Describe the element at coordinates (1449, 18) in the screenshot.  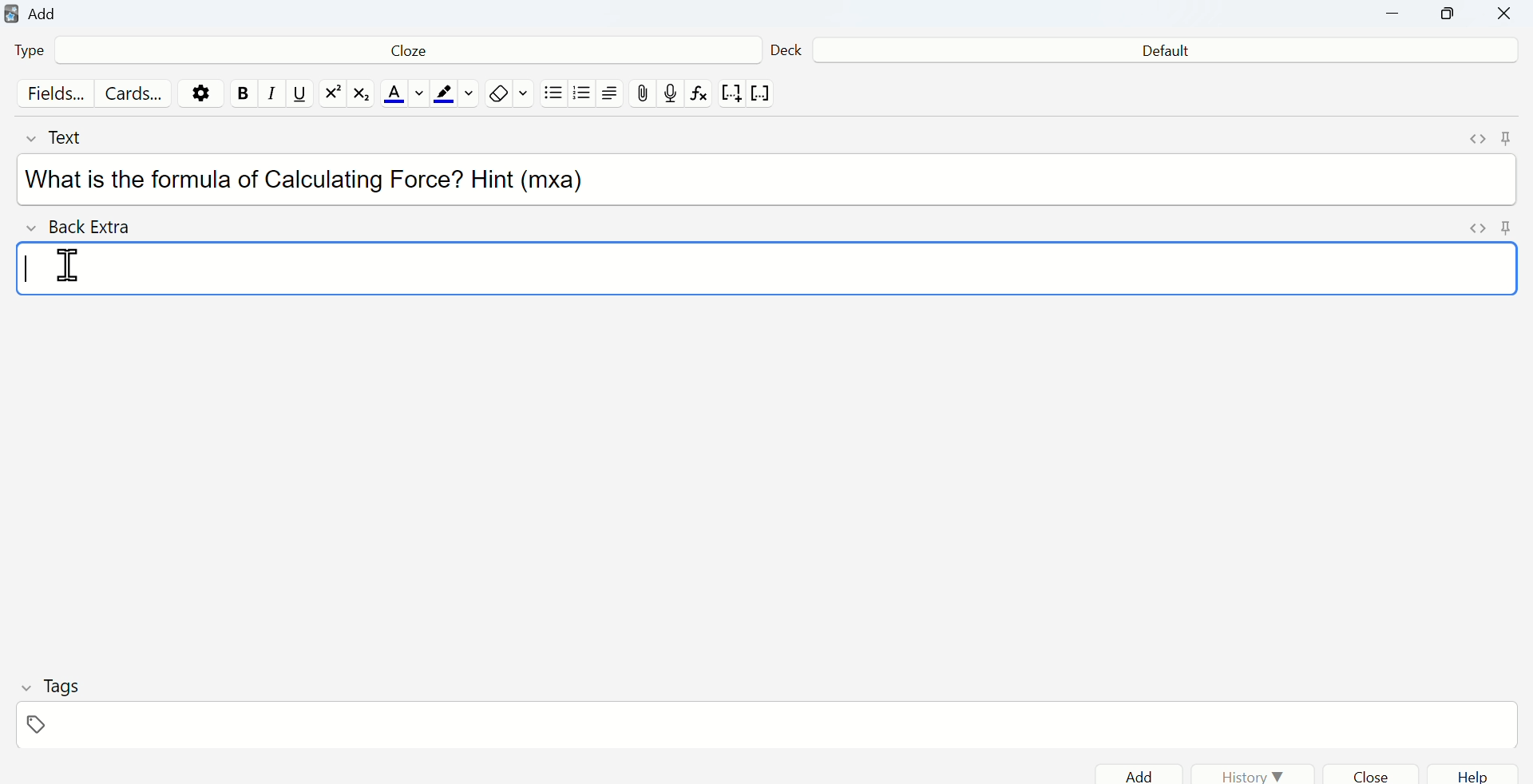
I see `Maximize` at that location.